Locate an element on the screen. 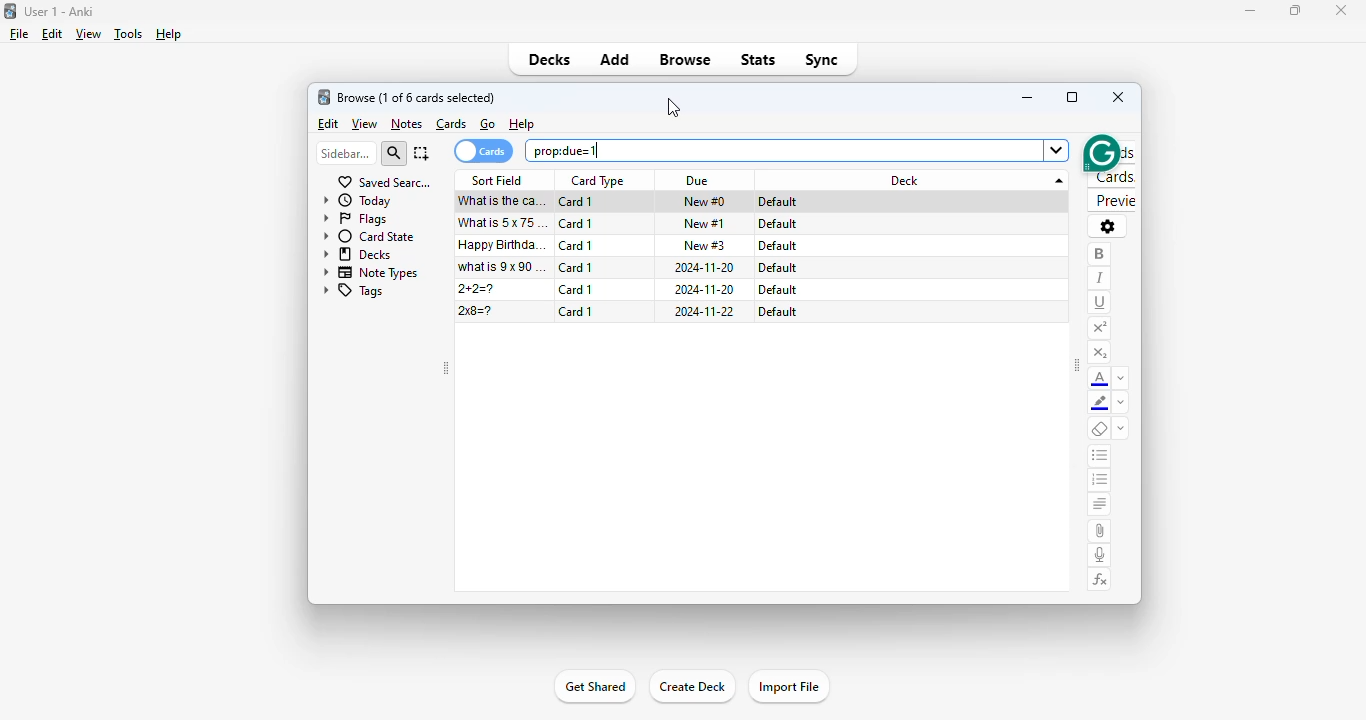 The image size is (1366, 720). go is located at coordinates (489, 124).